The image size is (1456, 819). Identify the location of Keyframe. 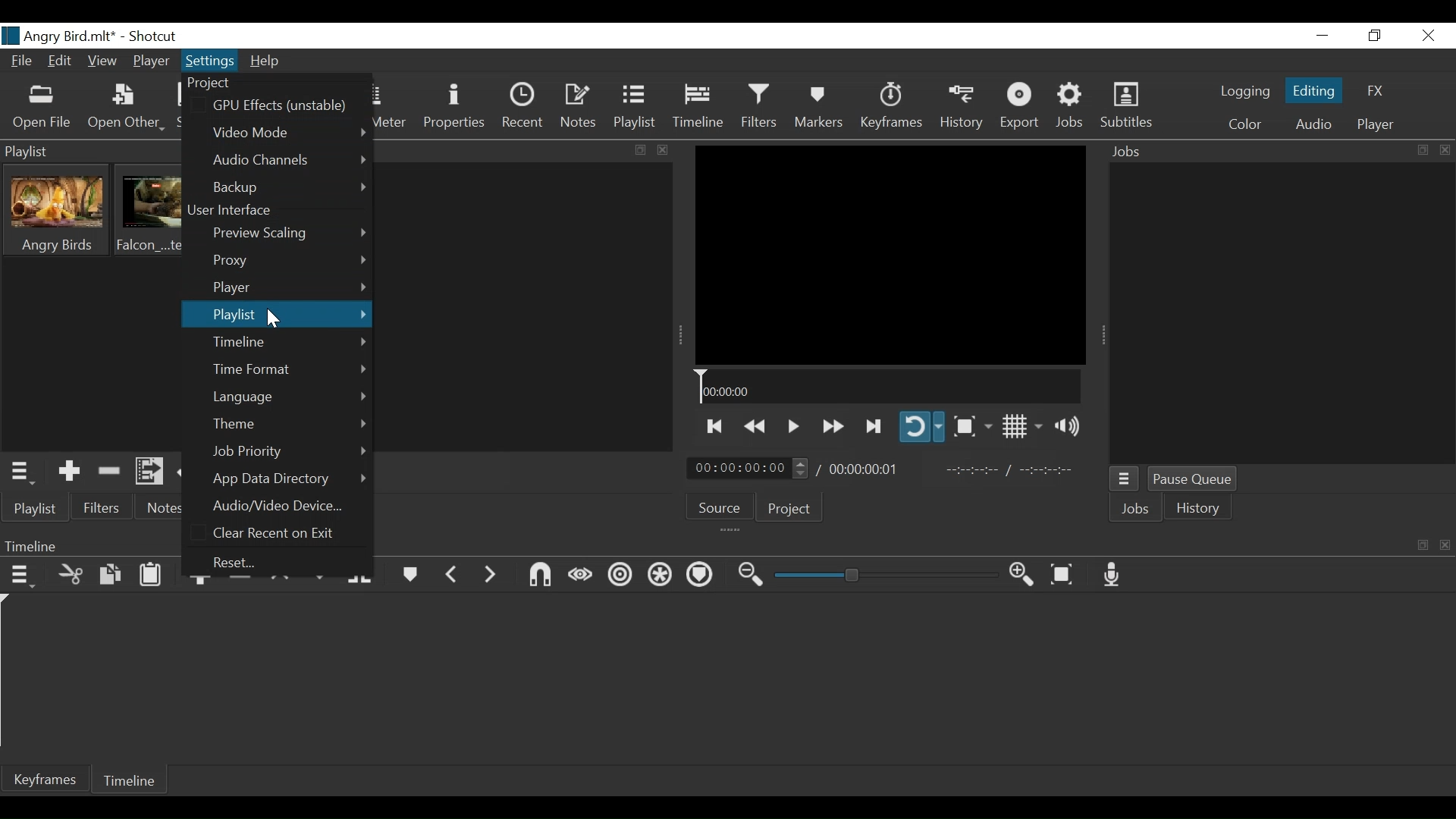
(890, 108).